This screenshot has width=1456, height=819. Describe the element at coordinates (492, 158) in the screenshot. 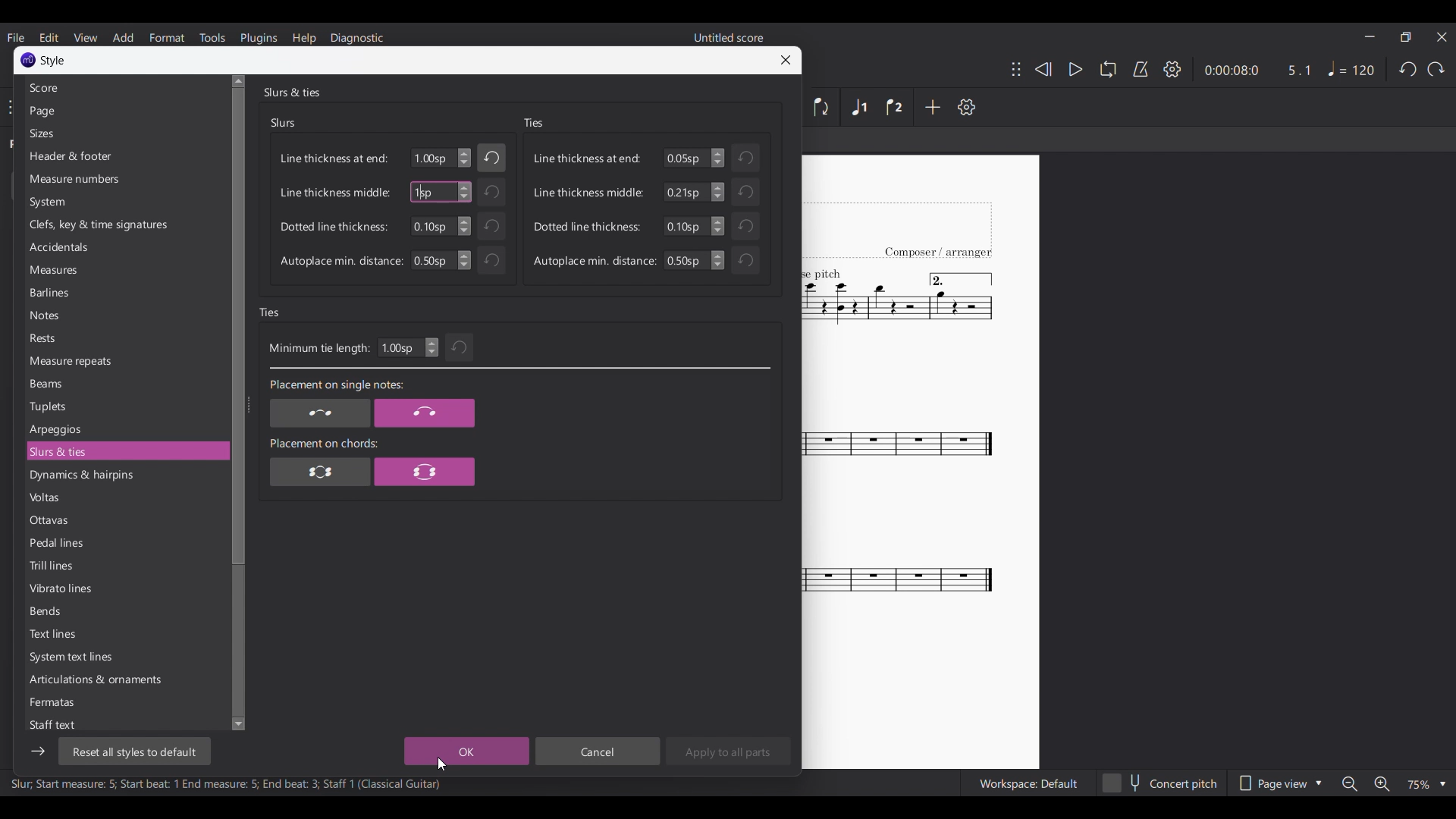

I see `Undo` at that location.